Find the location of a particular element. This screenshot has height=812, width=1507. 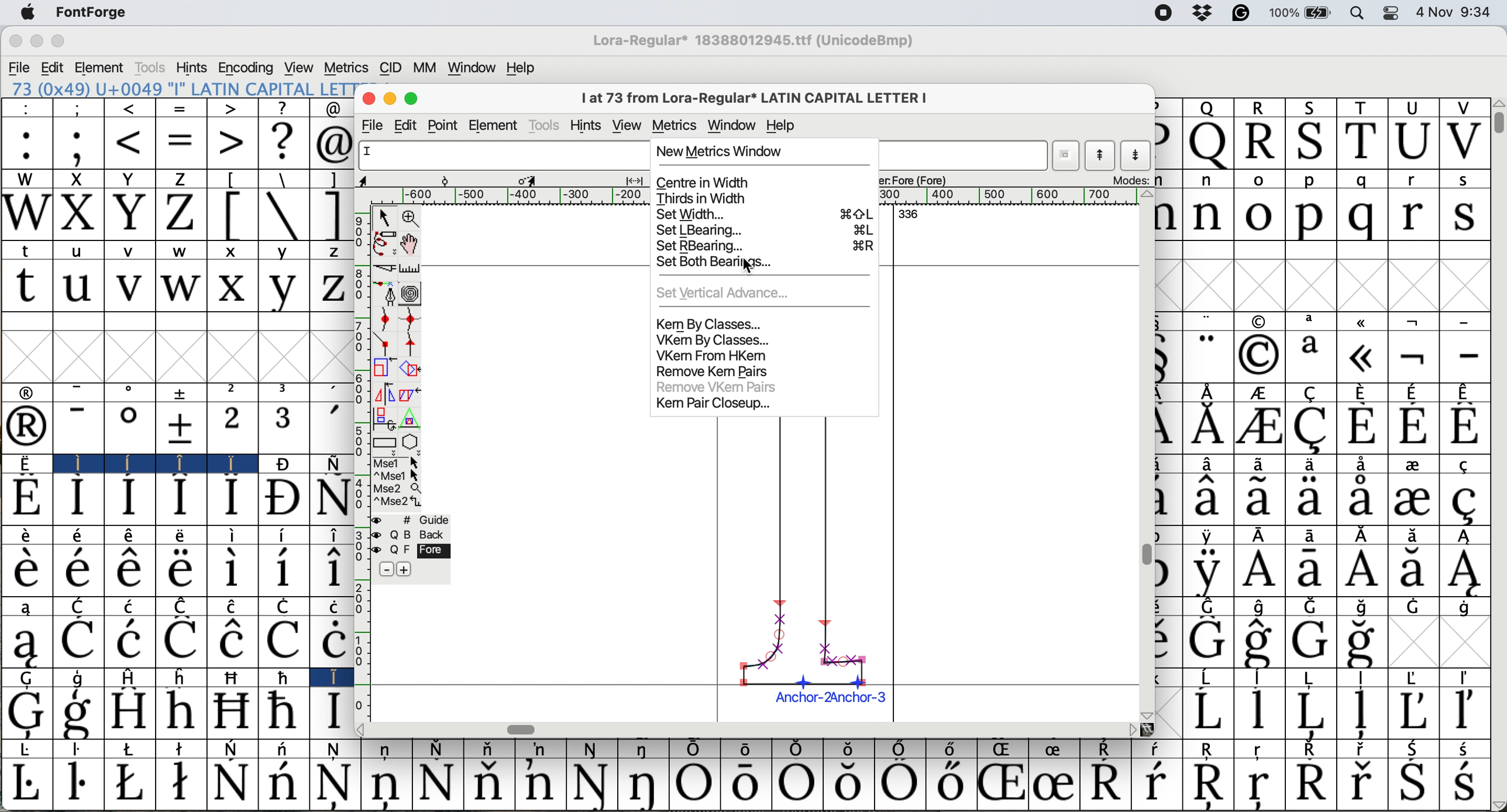

kem pair closeup is located at coordinates (716, 405).